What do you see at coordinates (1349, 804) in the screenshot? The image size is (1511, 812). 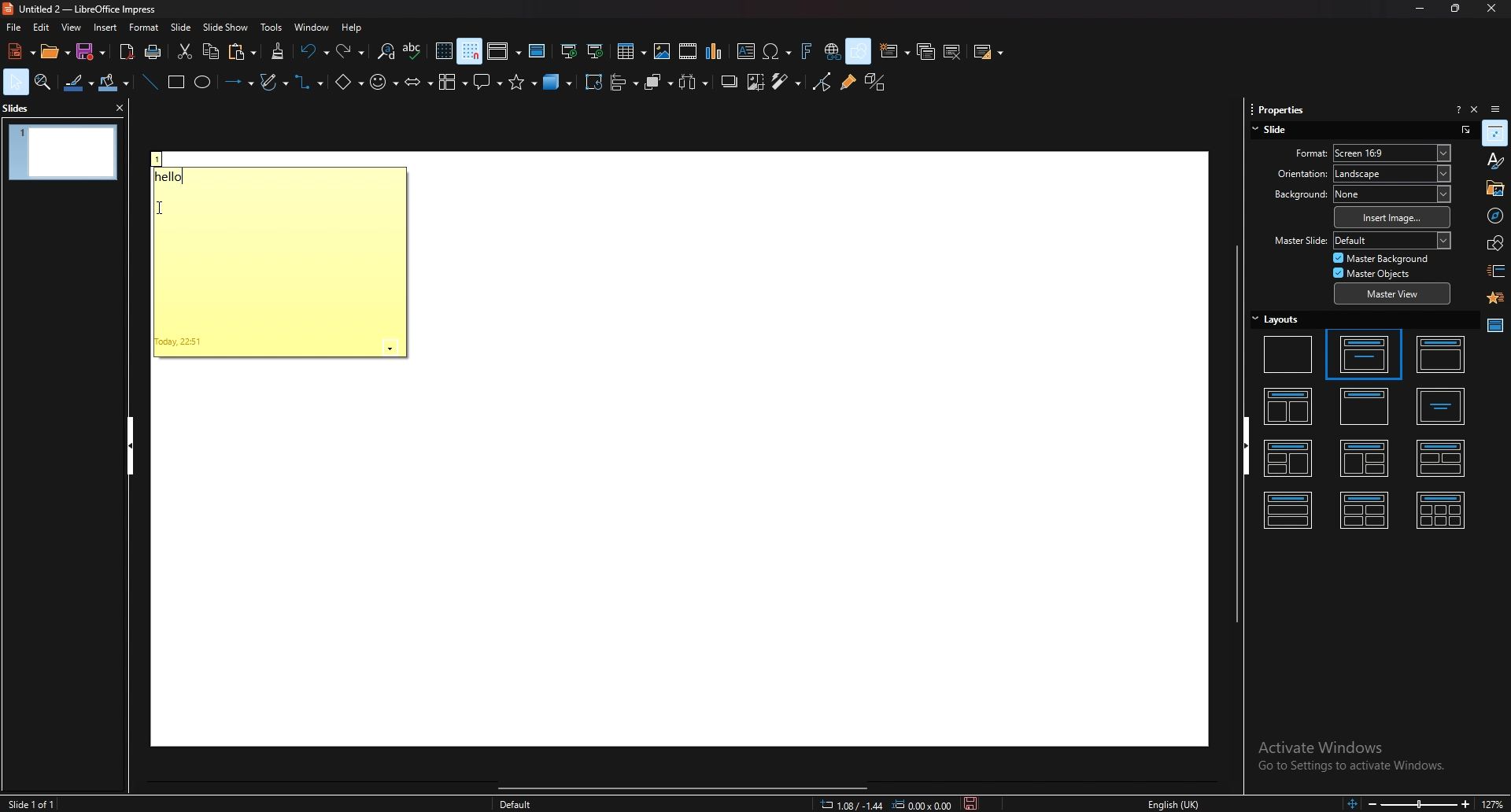 I see `fit slide to current window` at bounding box center [1349, 804].